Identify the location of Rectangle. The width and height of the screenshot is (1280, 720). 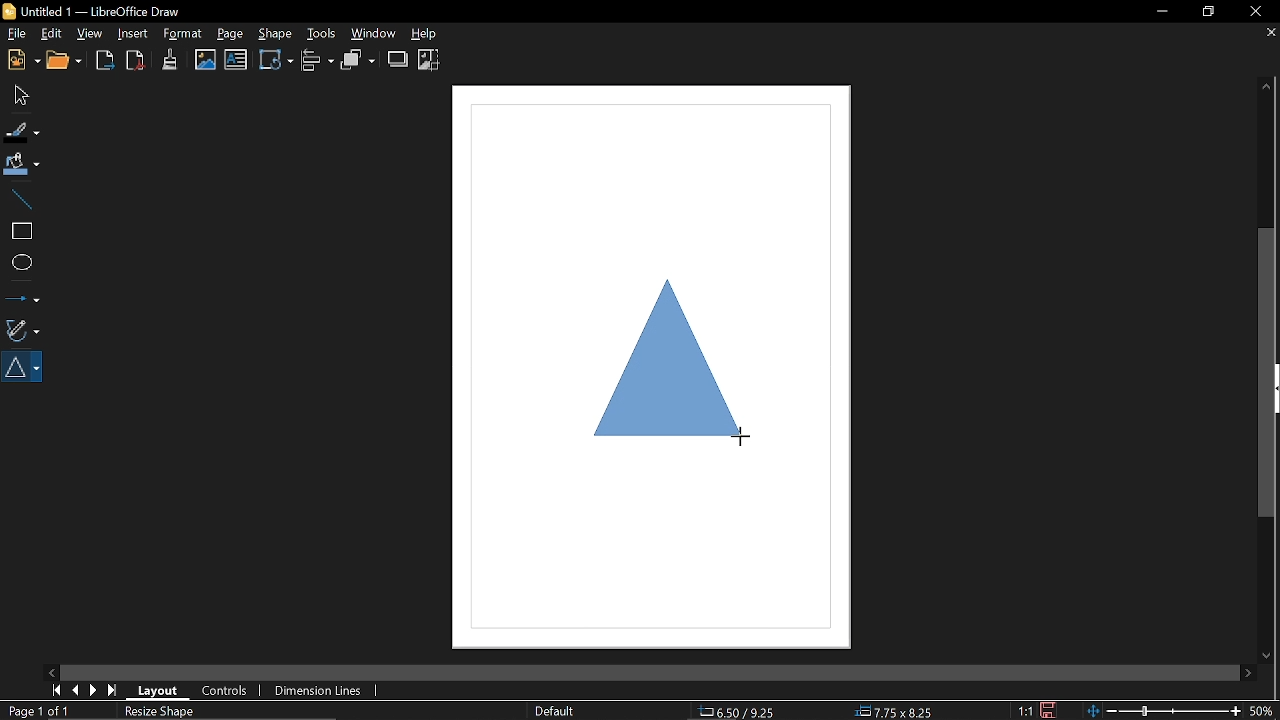
(20, 231).